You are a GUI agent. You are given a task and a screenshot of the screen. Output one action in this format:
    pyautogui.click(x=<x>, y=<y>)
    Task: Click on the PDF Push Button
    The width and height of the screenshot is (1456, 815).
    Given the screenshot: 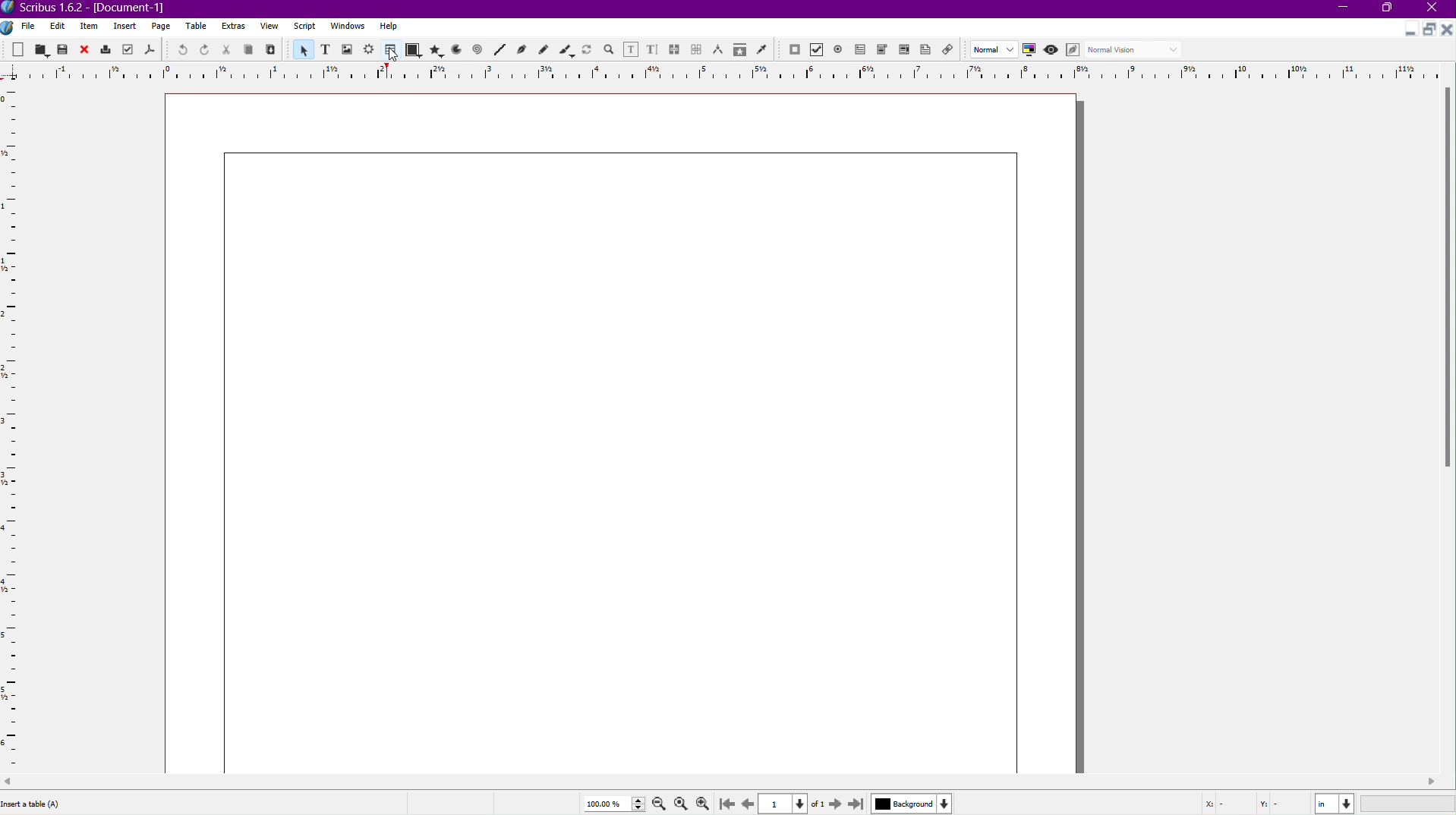 What is the action you would take?
    pyautogui.click(x=794, y=50)
    